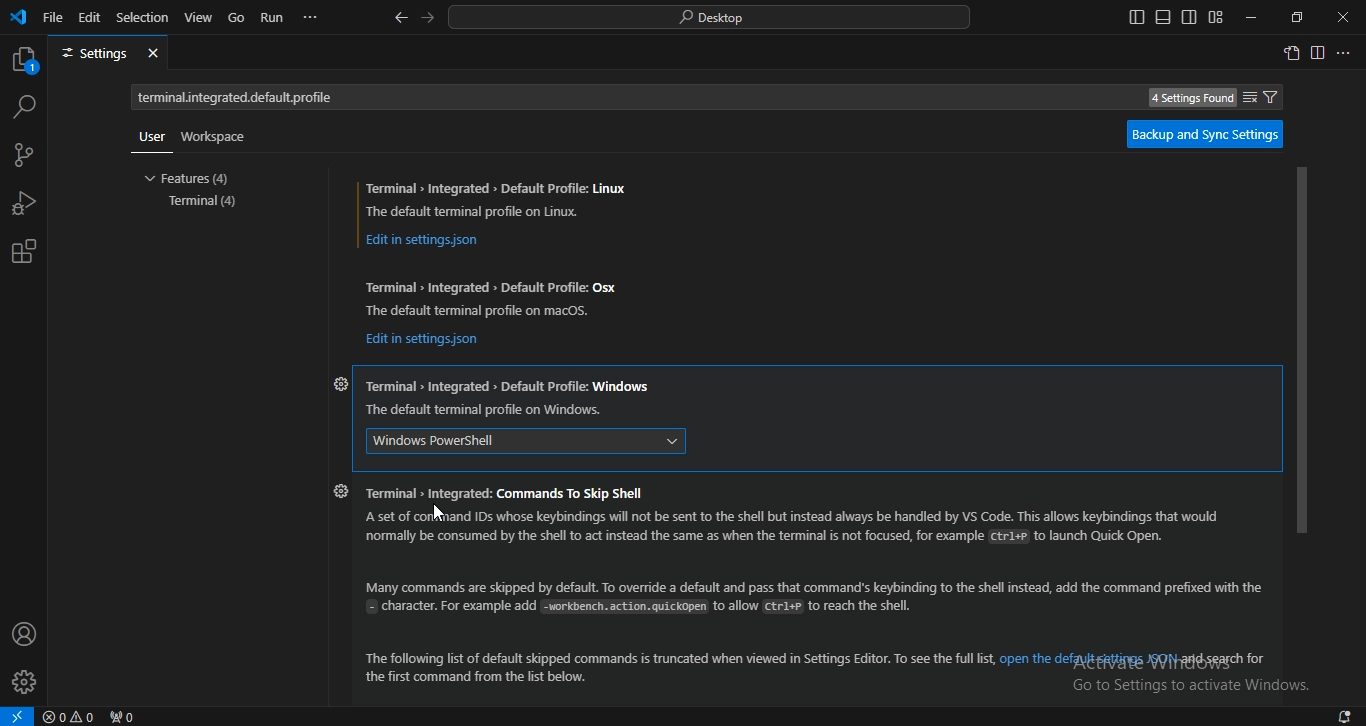 This screenshot has height=726, width=1366. I want to click on Edit in settingsjson, so click(423, 340).